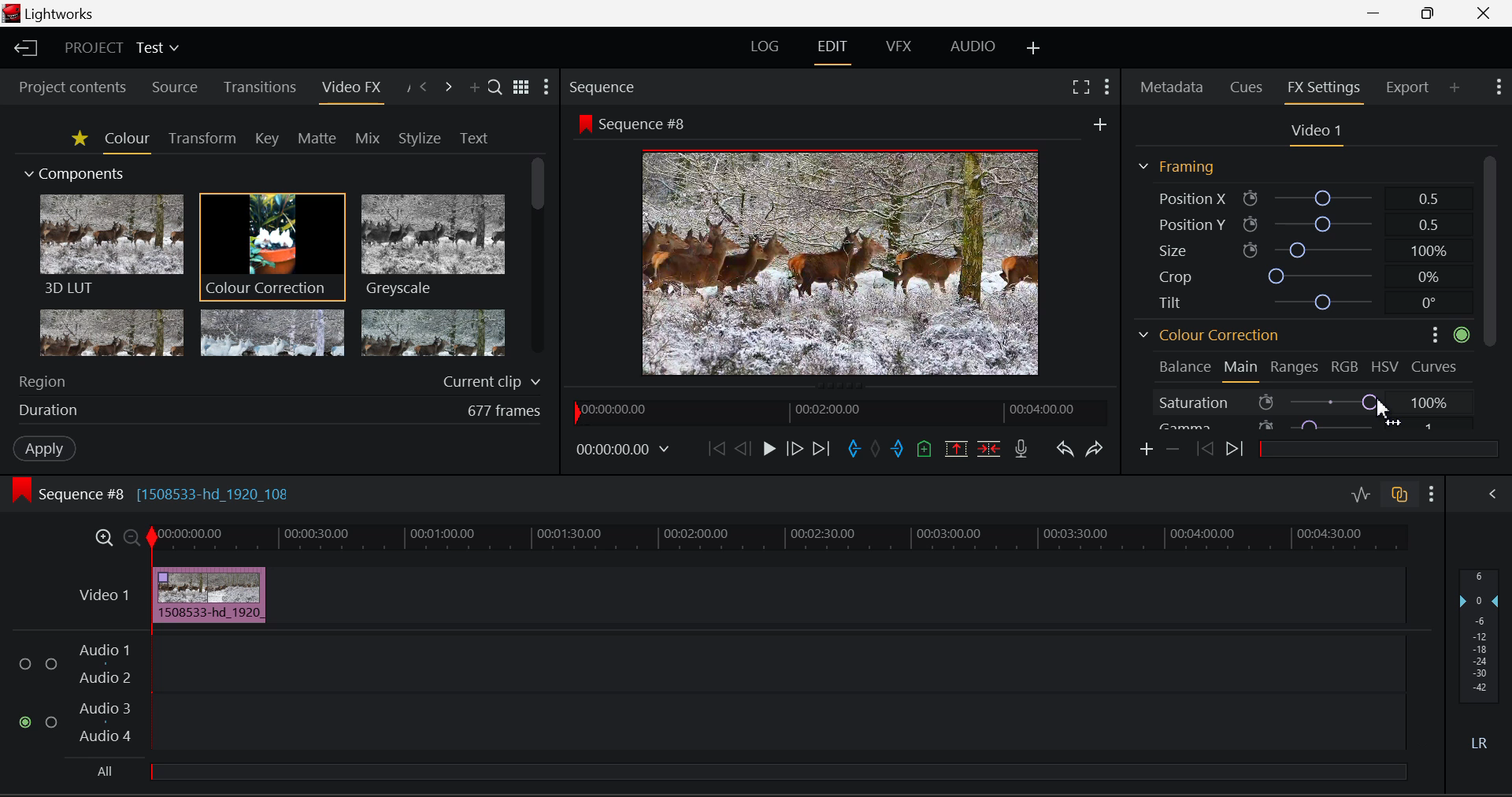 The height and width of the screenshot is (797, 1512). What do you see at coordinates (1096, 450) in the screenshot?
I see `Redo` at bounding box center [1096, 450].